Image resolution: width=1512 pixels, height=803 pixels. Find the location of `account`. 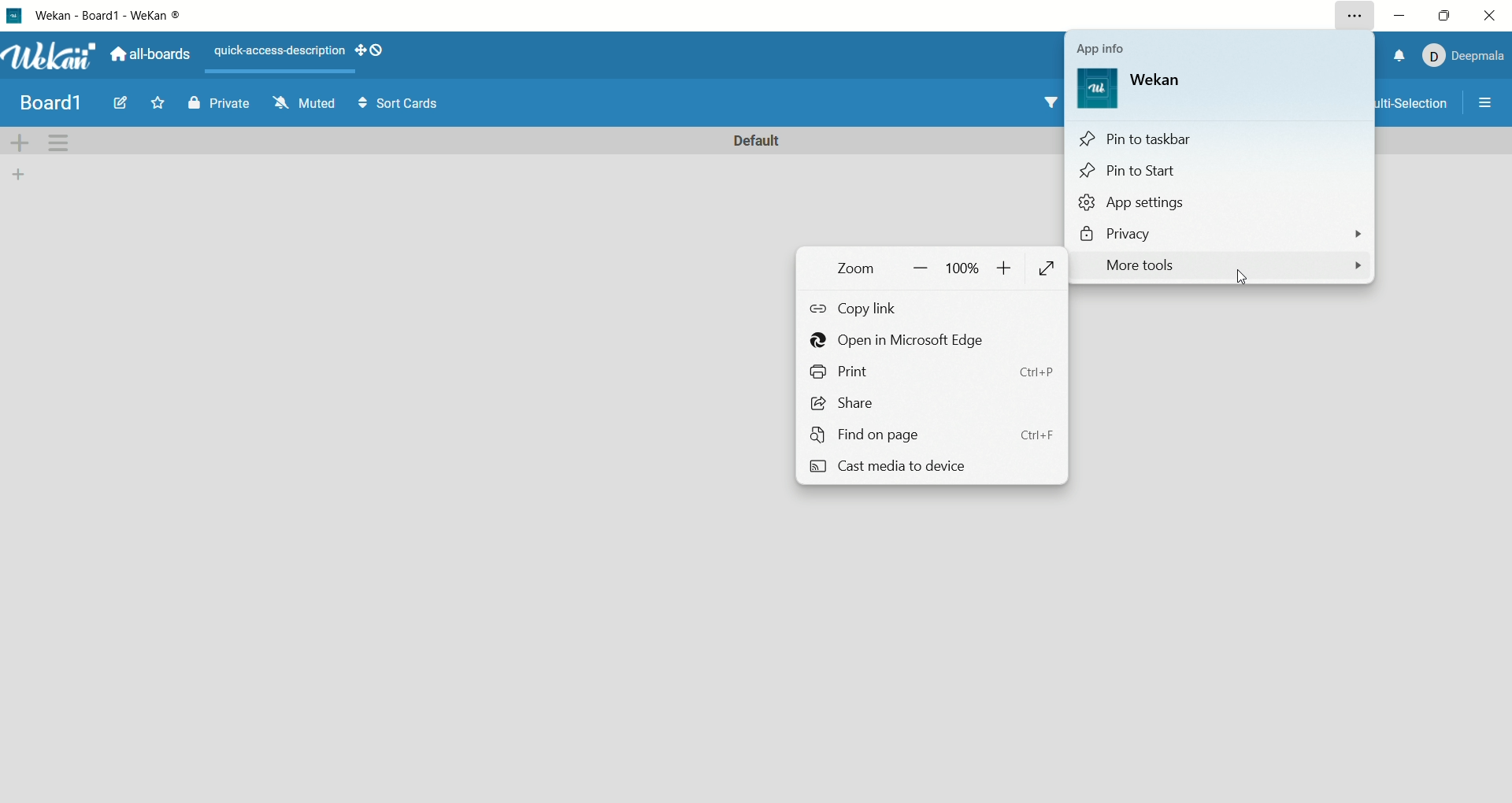

account is located at coordinates (1462, 57).